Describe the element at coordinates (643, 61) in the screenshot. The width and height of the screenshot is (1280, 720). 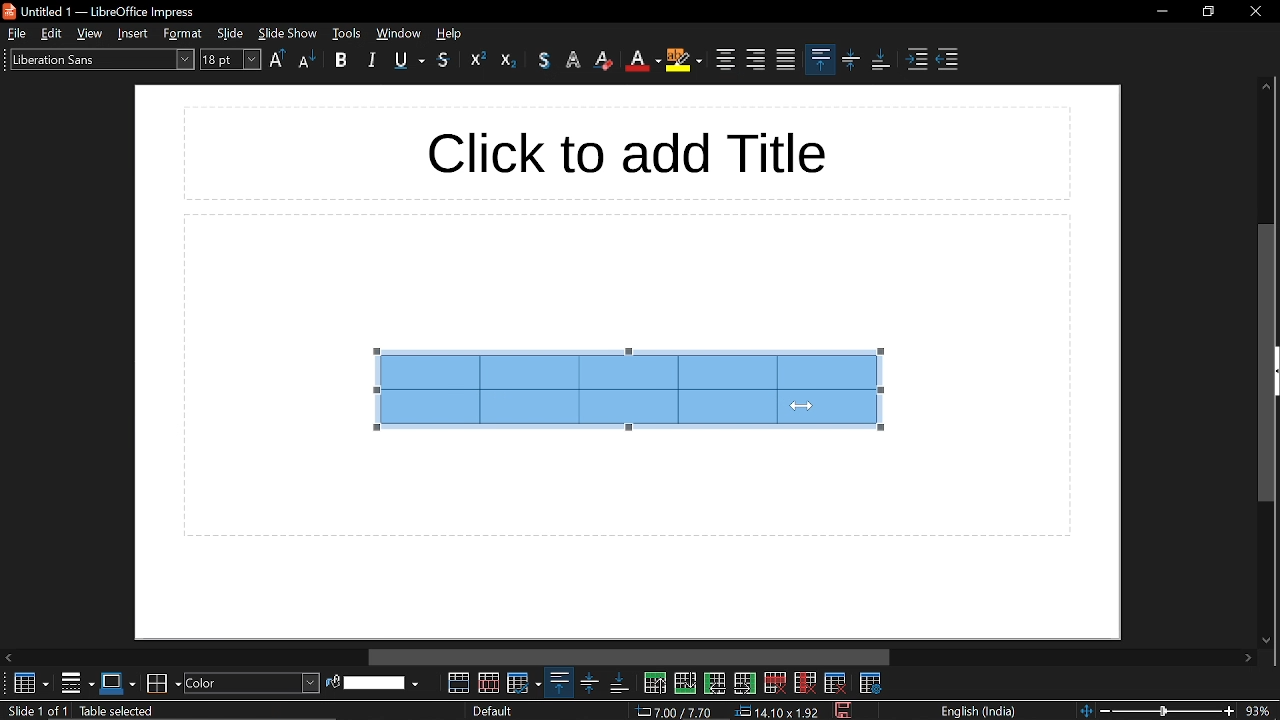
I see `text color` at that location.